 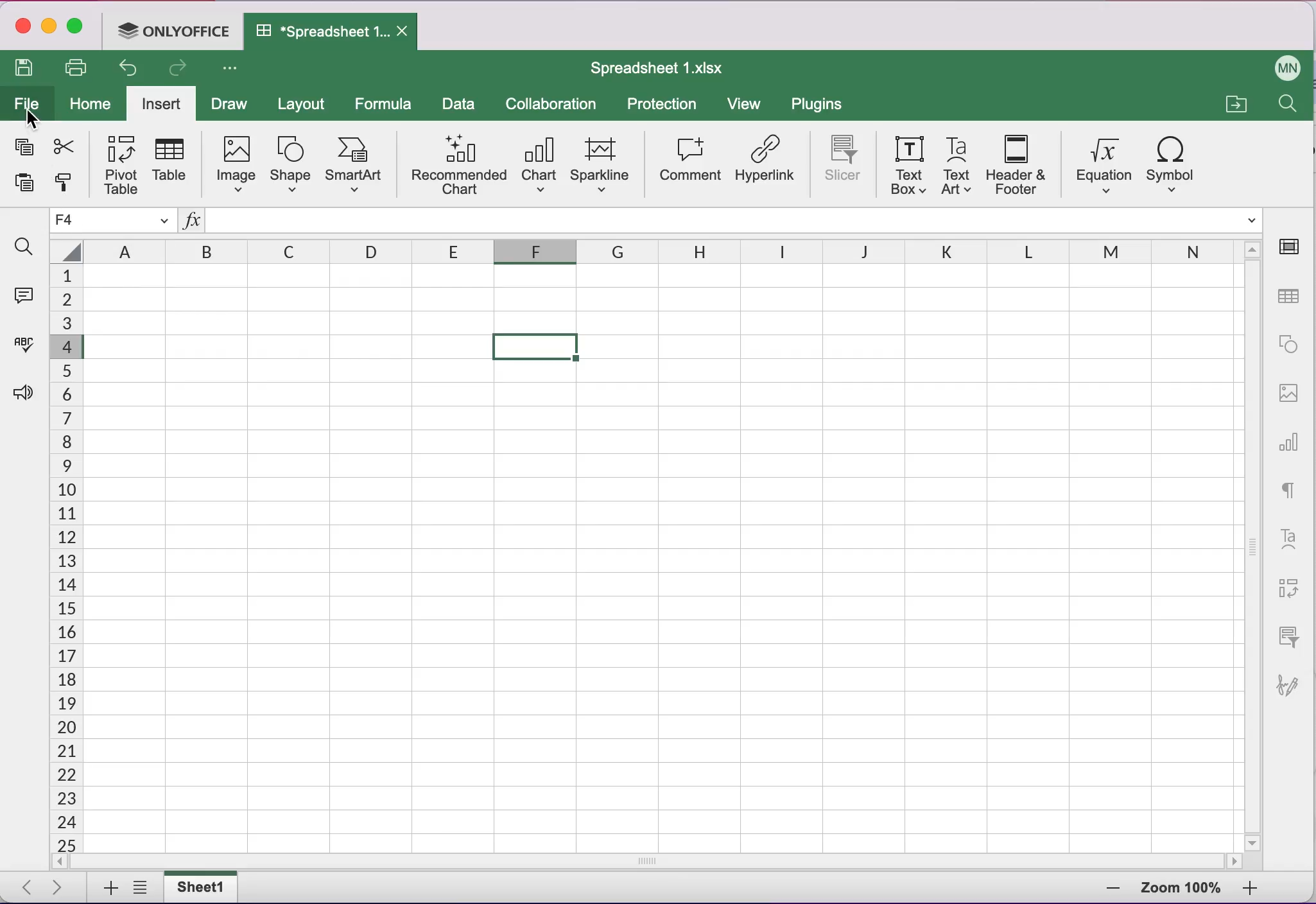 I want to click on data, so click(x=461, y=105).